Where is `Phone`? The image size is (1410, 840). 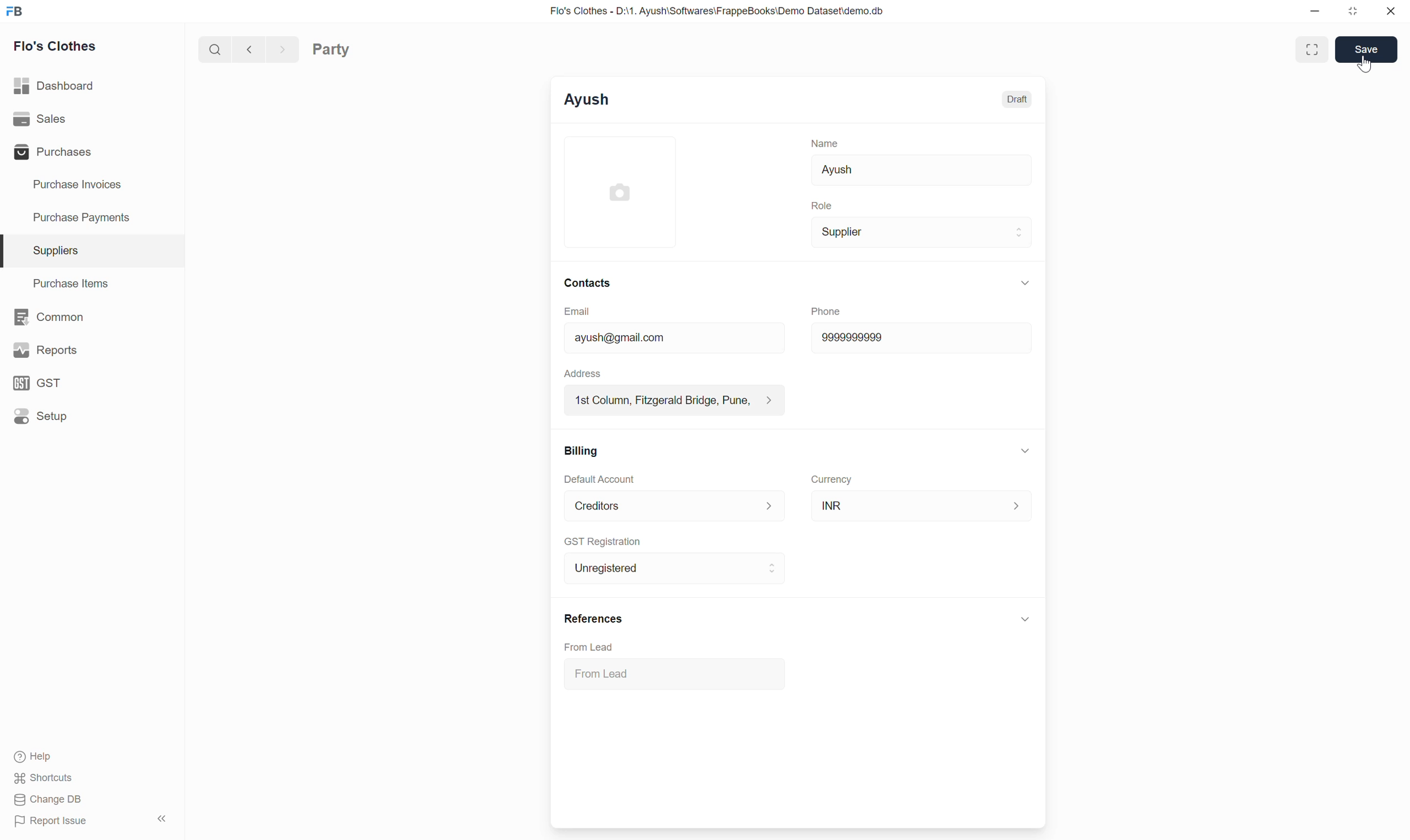 Phone is located at coordinates (826, 311).